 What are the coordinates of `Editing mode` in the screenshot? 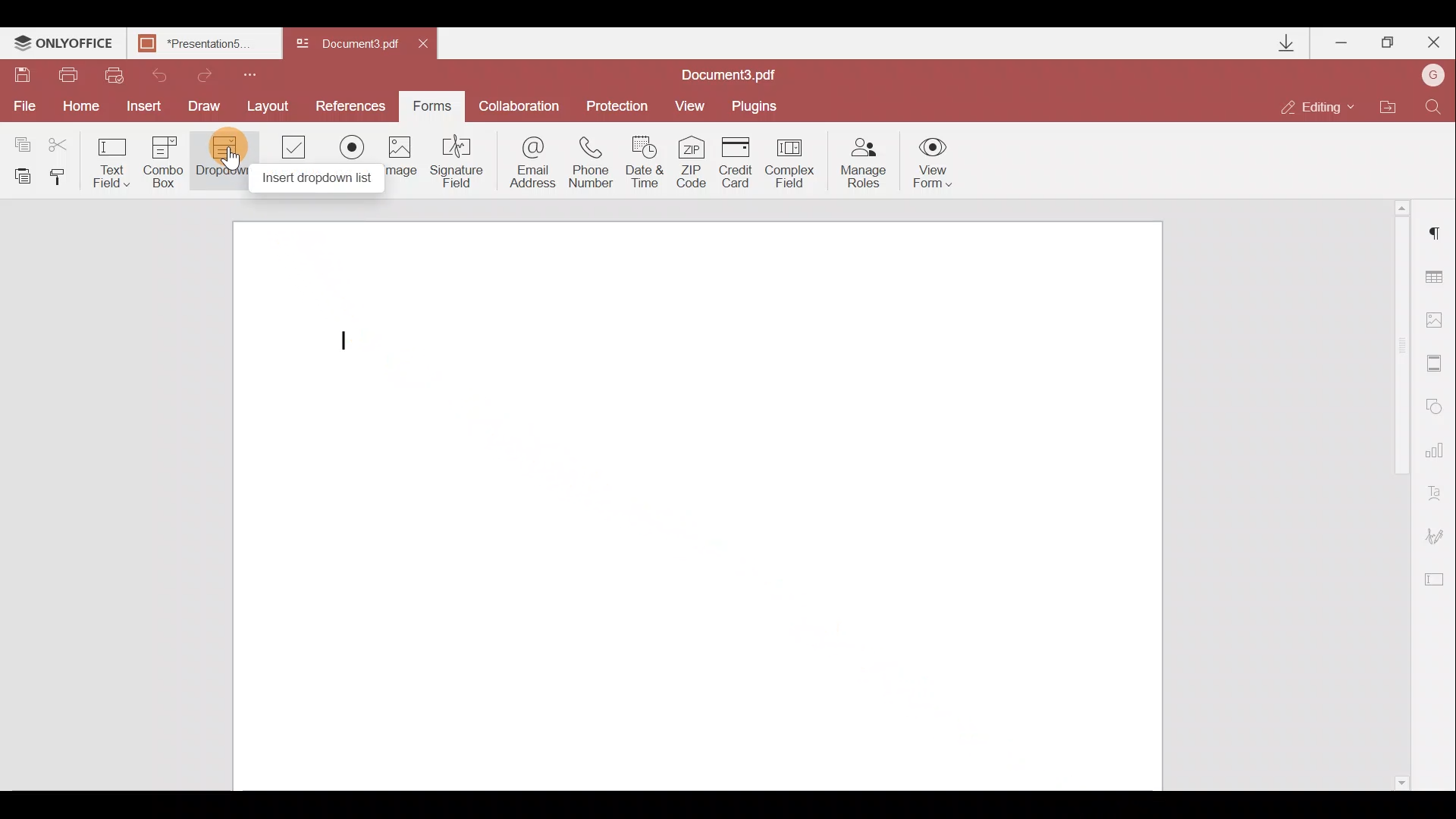 It's located at (1318, 106).